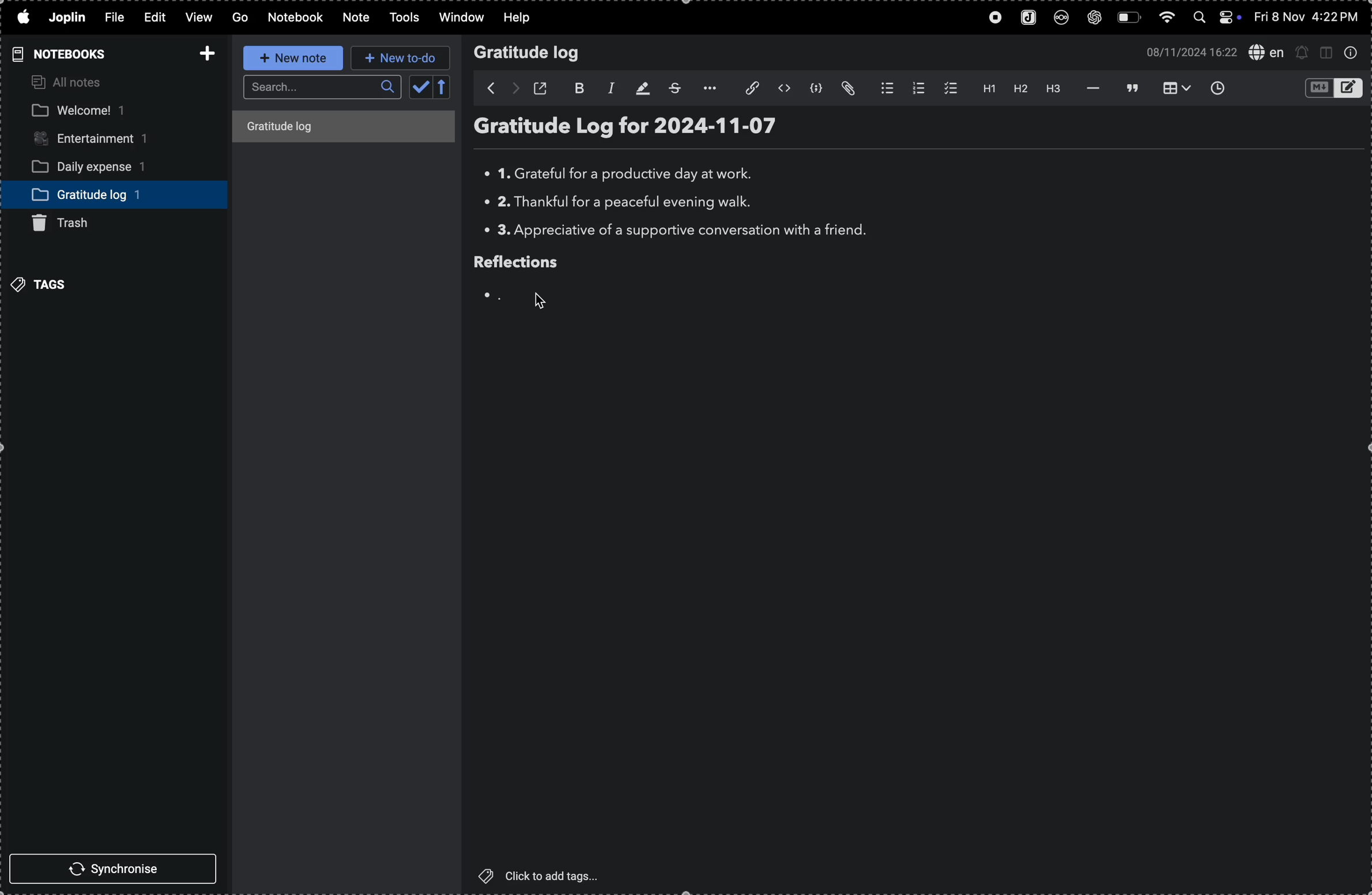 This screenshot has height=895, width=1372. What do you see at coordinates (986, 88) in the screenshot?
I see `heading 1` at bounding box center [986, 88].